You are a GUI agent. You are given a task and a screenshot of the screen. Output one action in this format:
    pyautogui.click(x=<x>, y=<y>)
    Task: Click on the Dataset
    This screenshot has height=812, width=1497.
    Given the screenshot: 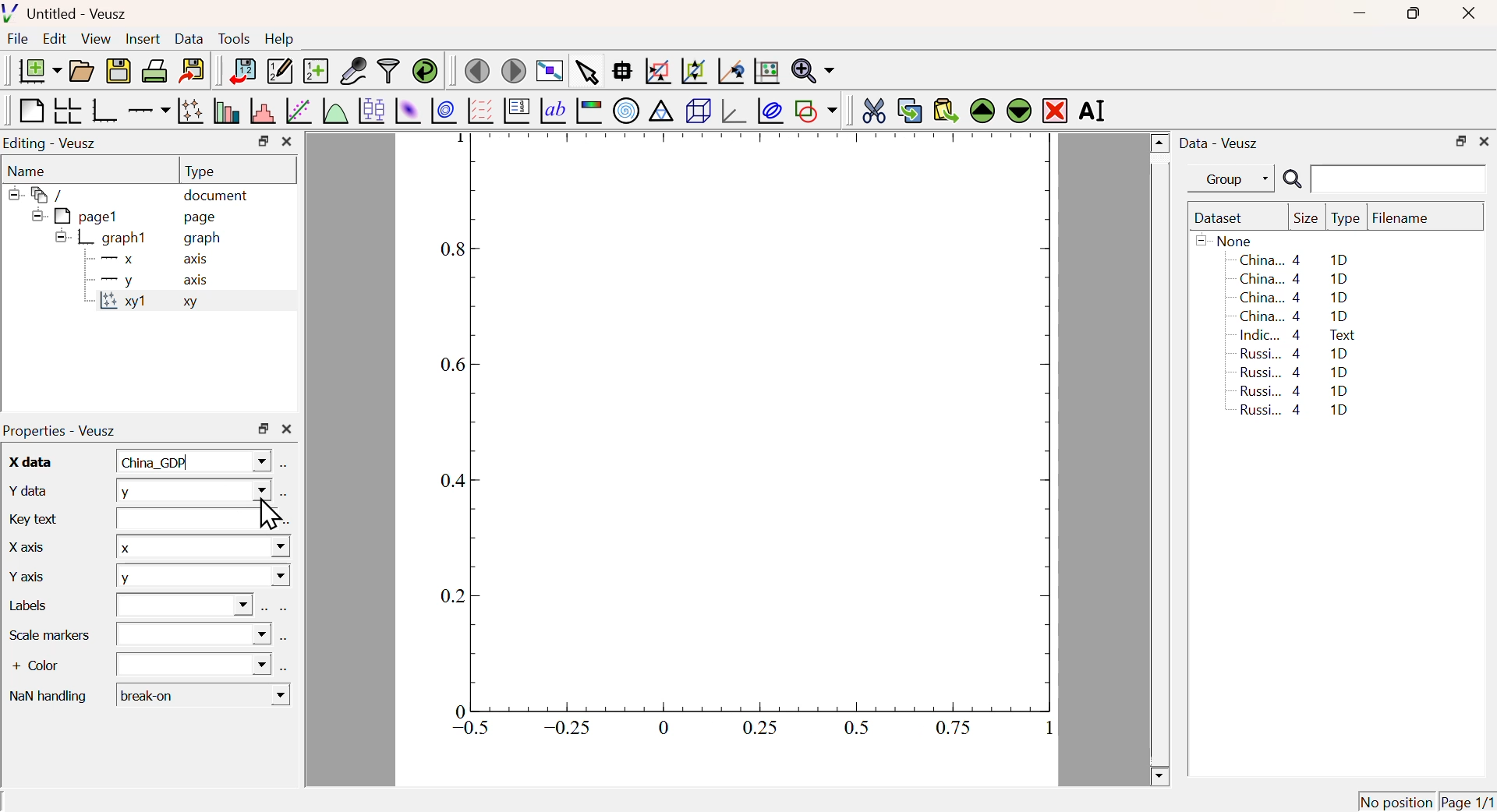 What is the action you would take?
    pyautogui.click(x=1222, y=219)
    